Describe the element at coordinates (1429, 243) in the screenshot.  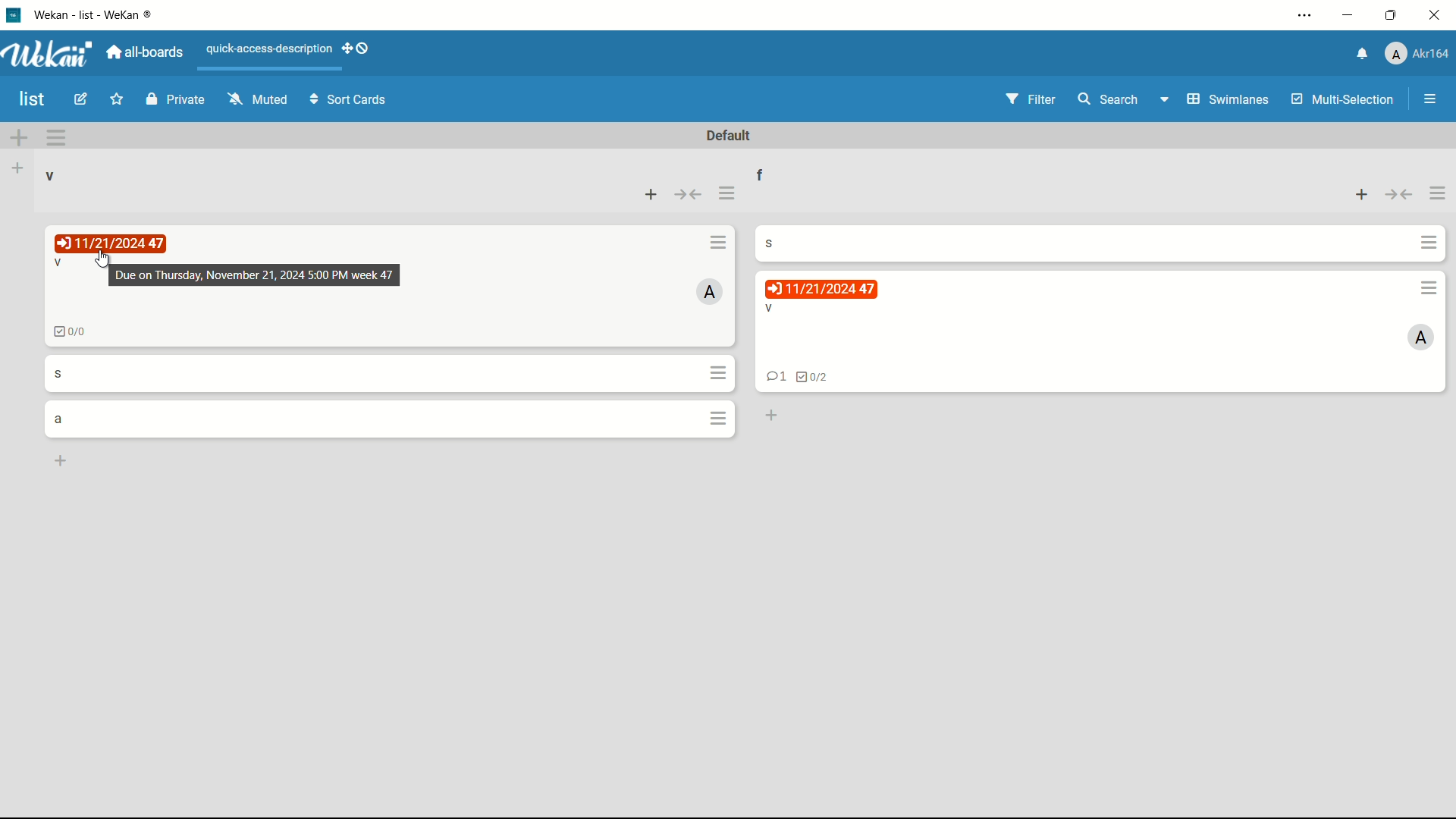
I see `card actions` at that location.